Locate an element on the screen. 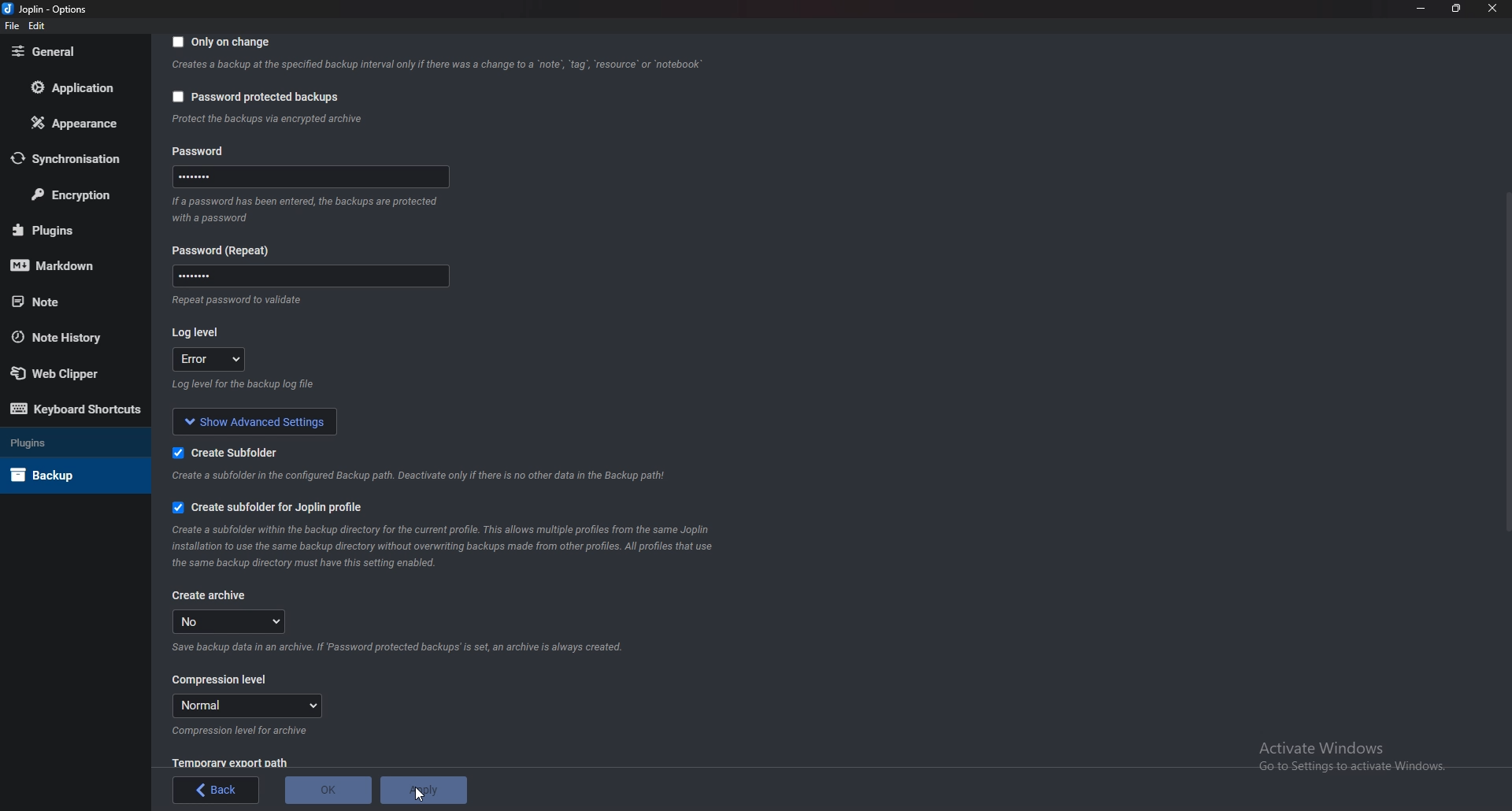 This screenshot has height=811, width=1512. Info is located at coordinates (405, 646).